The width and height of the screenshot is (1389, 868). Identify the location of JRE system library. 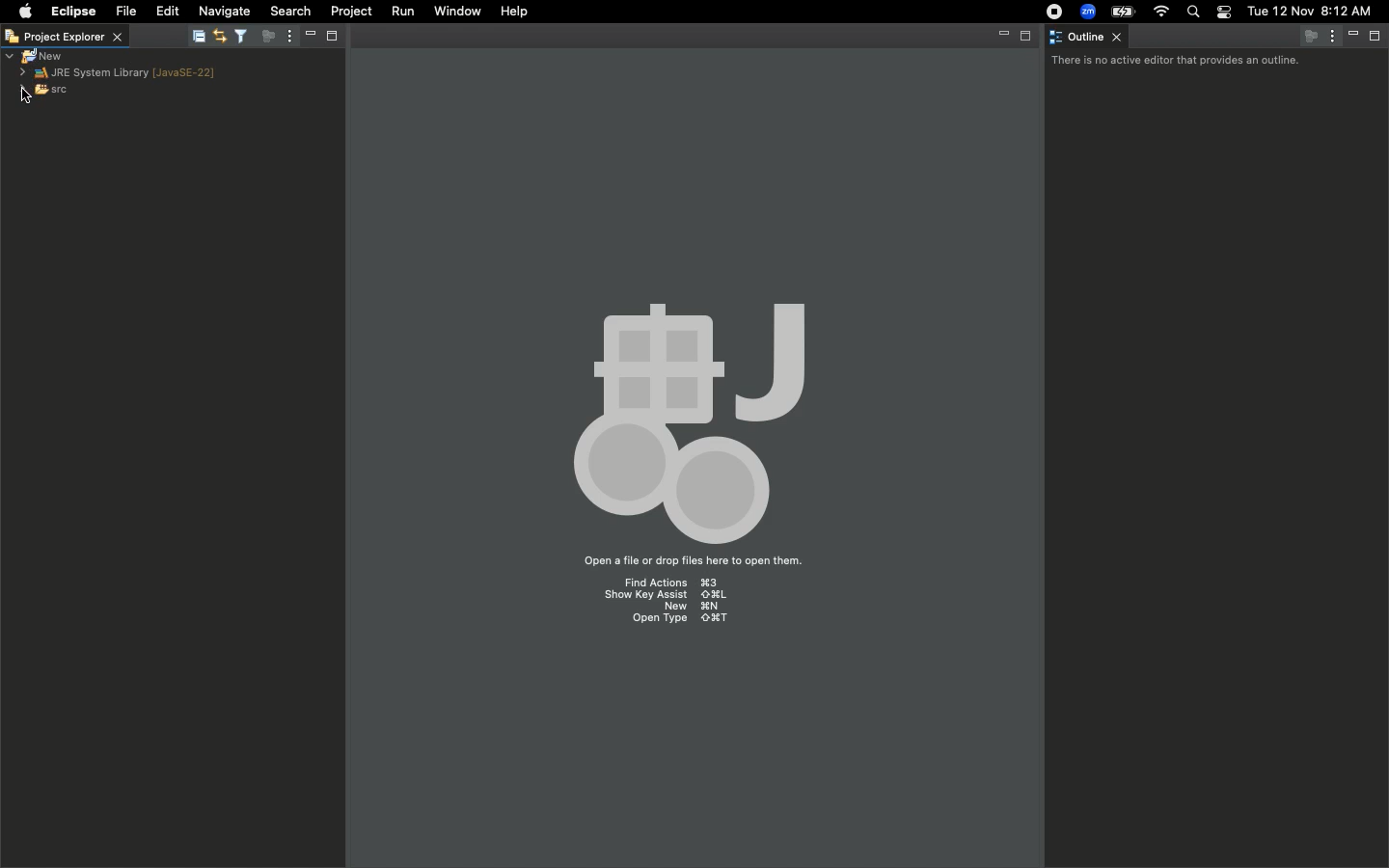
(120, 74).